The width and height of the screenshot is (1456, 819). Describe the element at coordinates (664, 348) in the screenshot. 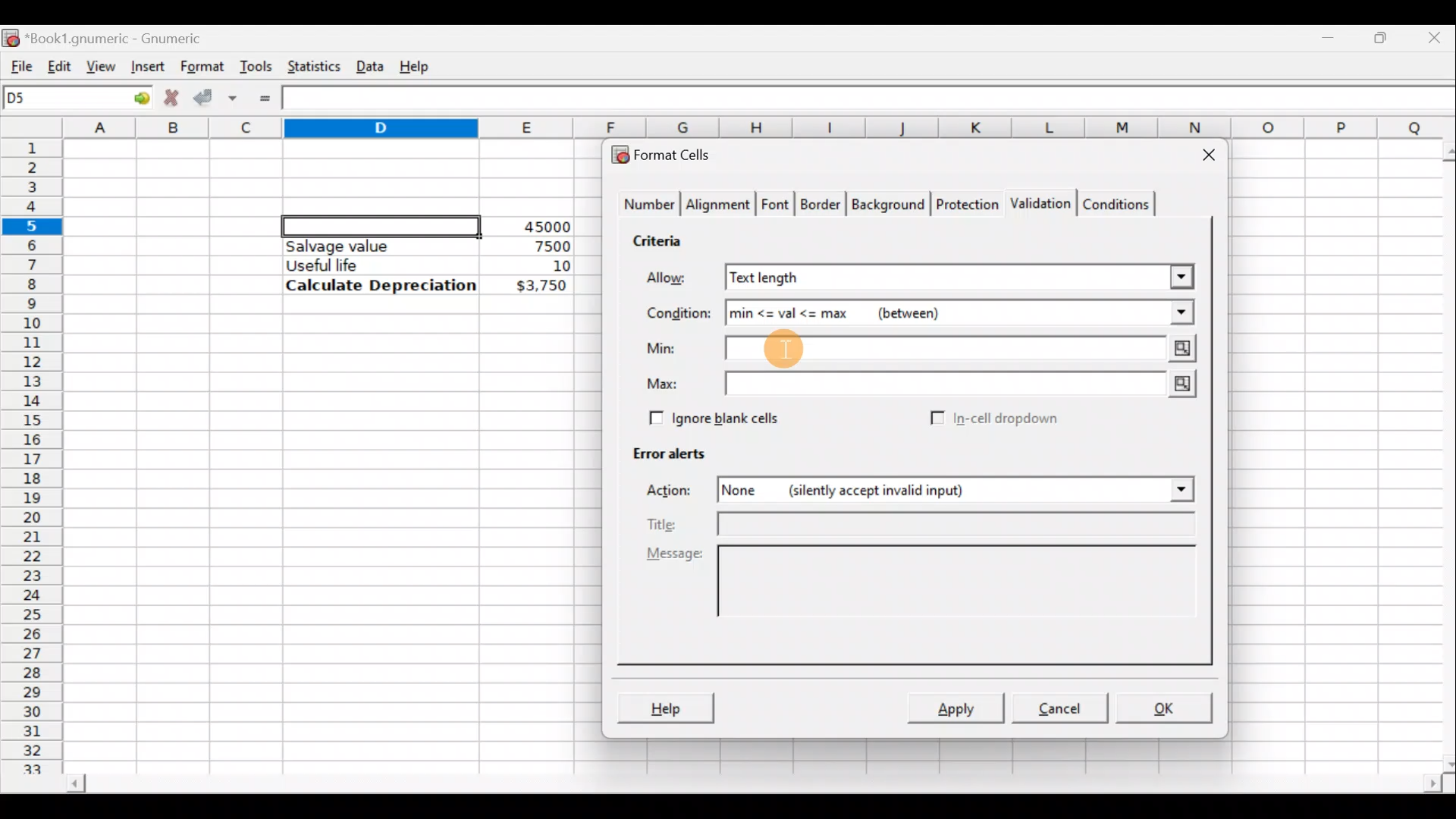

I see `Min` at that location.